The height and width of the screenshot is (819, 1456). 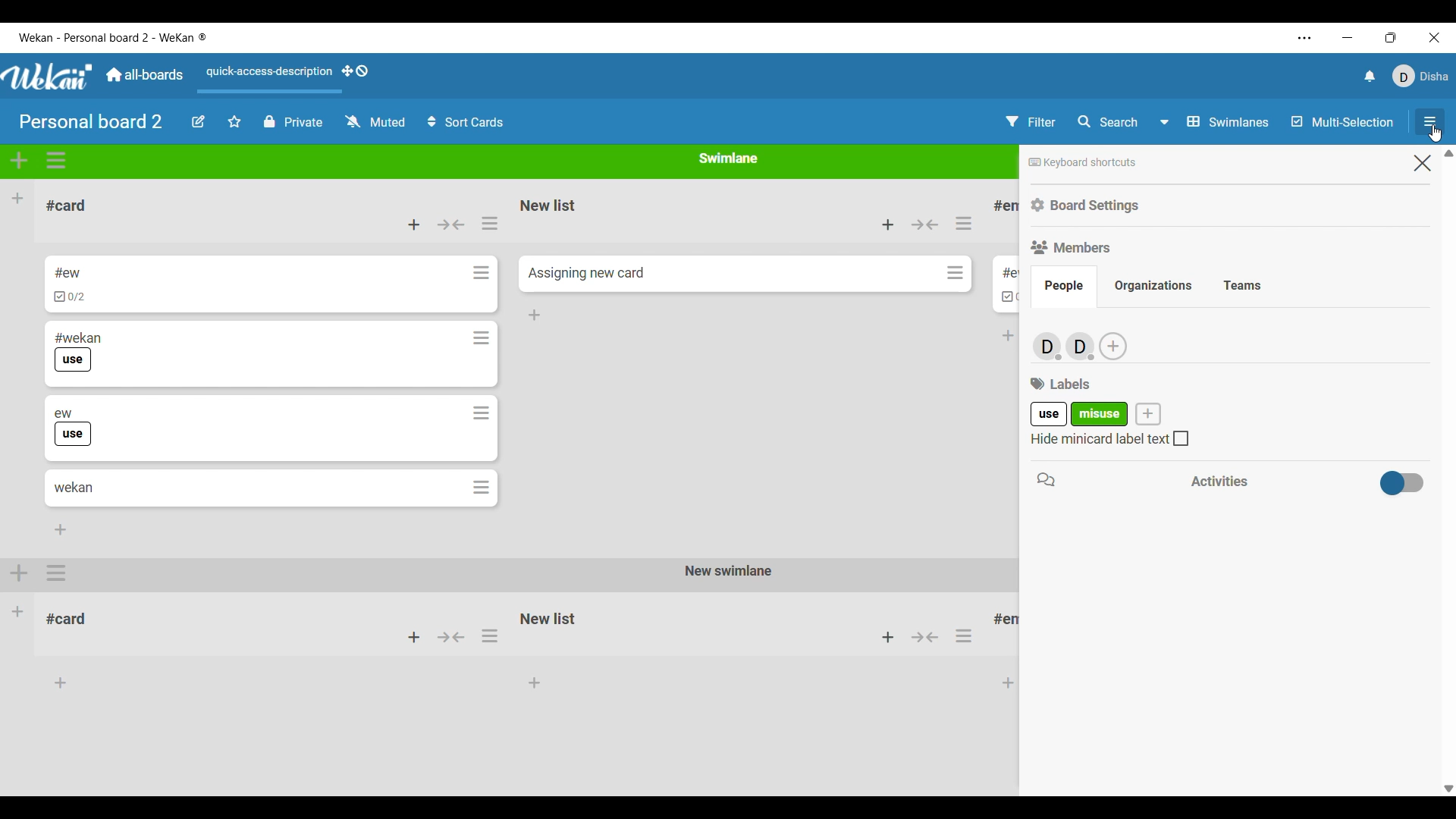 I want to click on Section title, so click(x=1060, y=384).